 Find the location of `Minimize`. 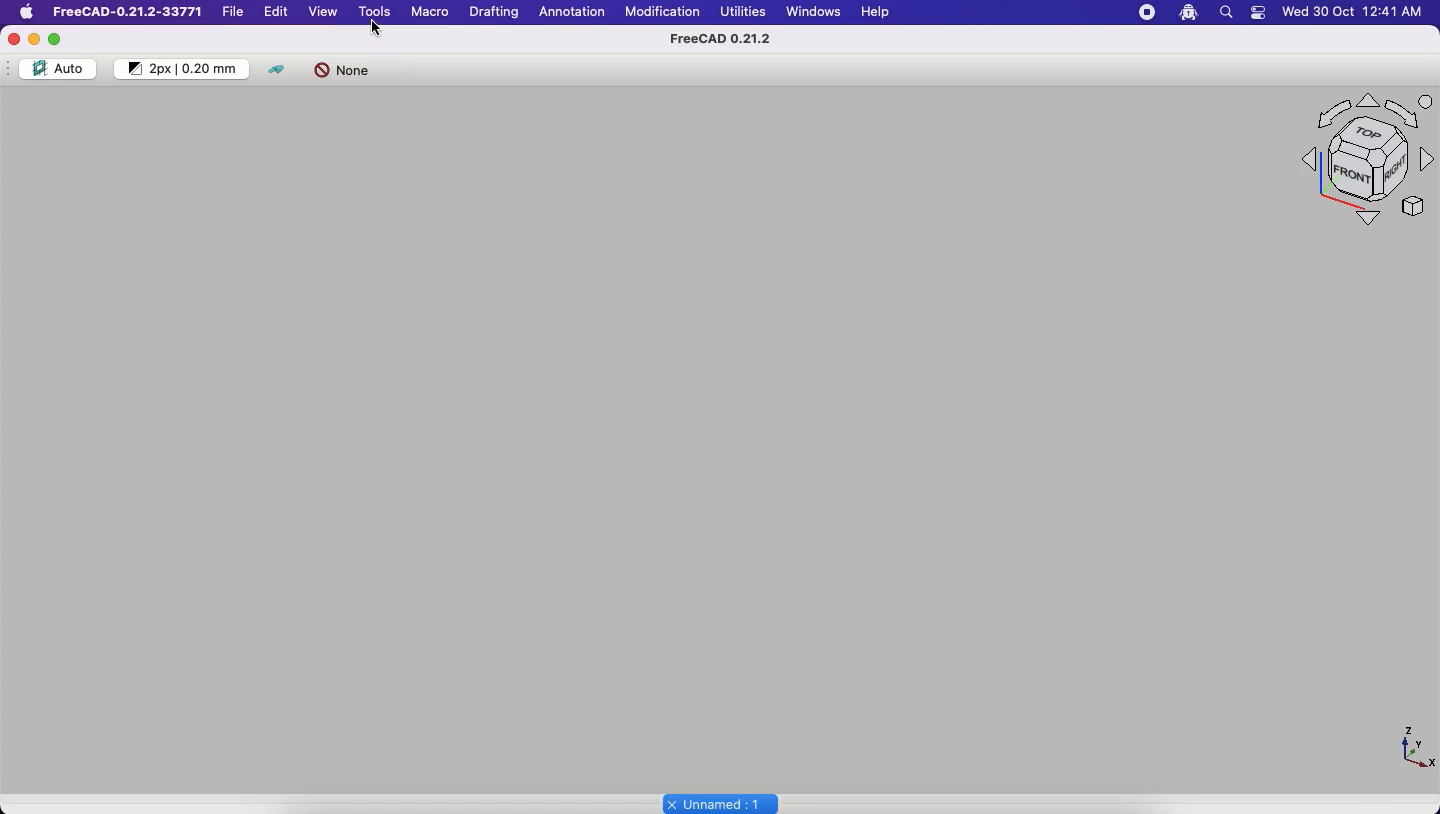

Minimize is located at coordinates (39, 38).